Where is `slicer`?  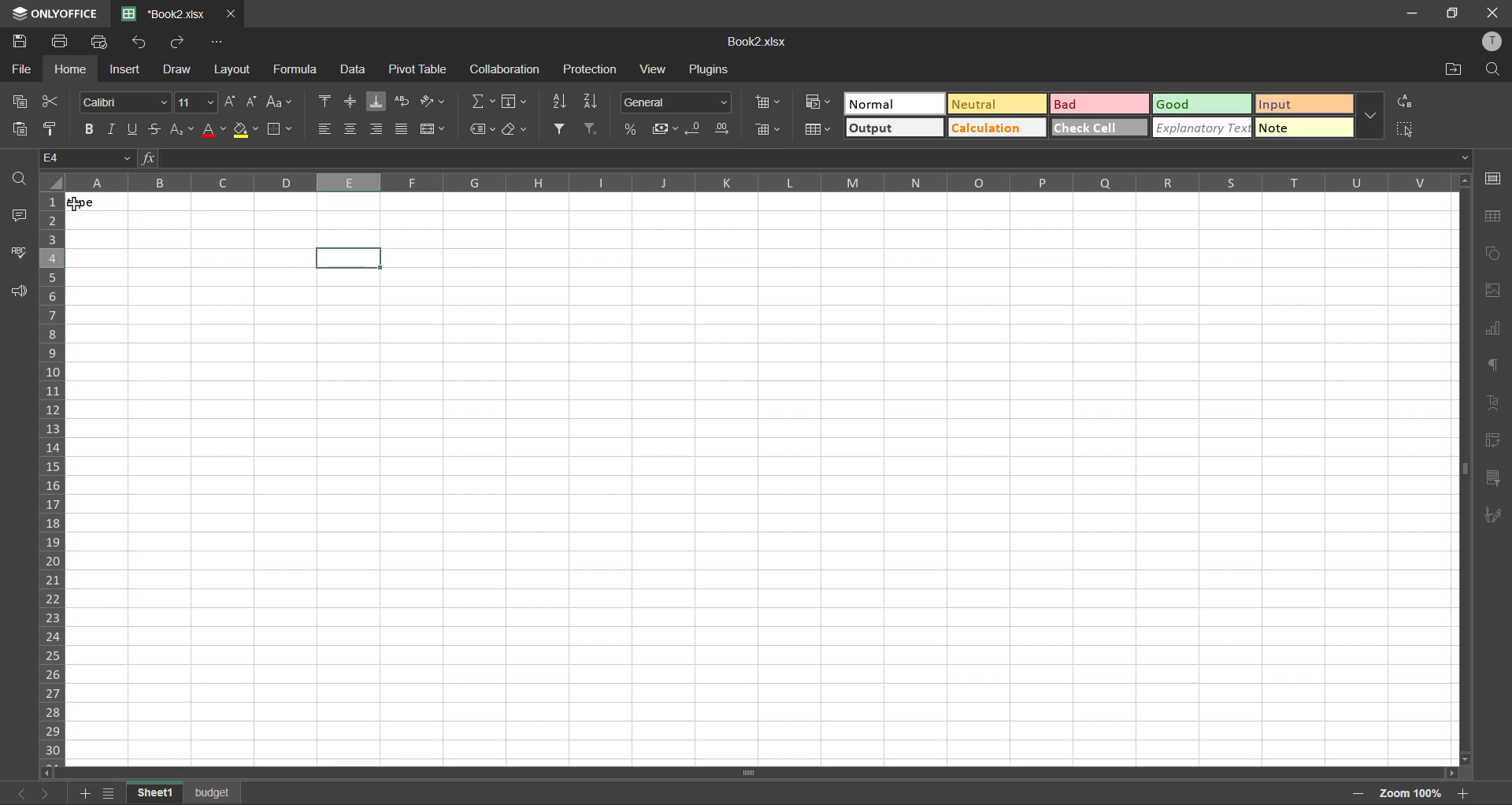 slicer is located at coordinates (1490, 476).